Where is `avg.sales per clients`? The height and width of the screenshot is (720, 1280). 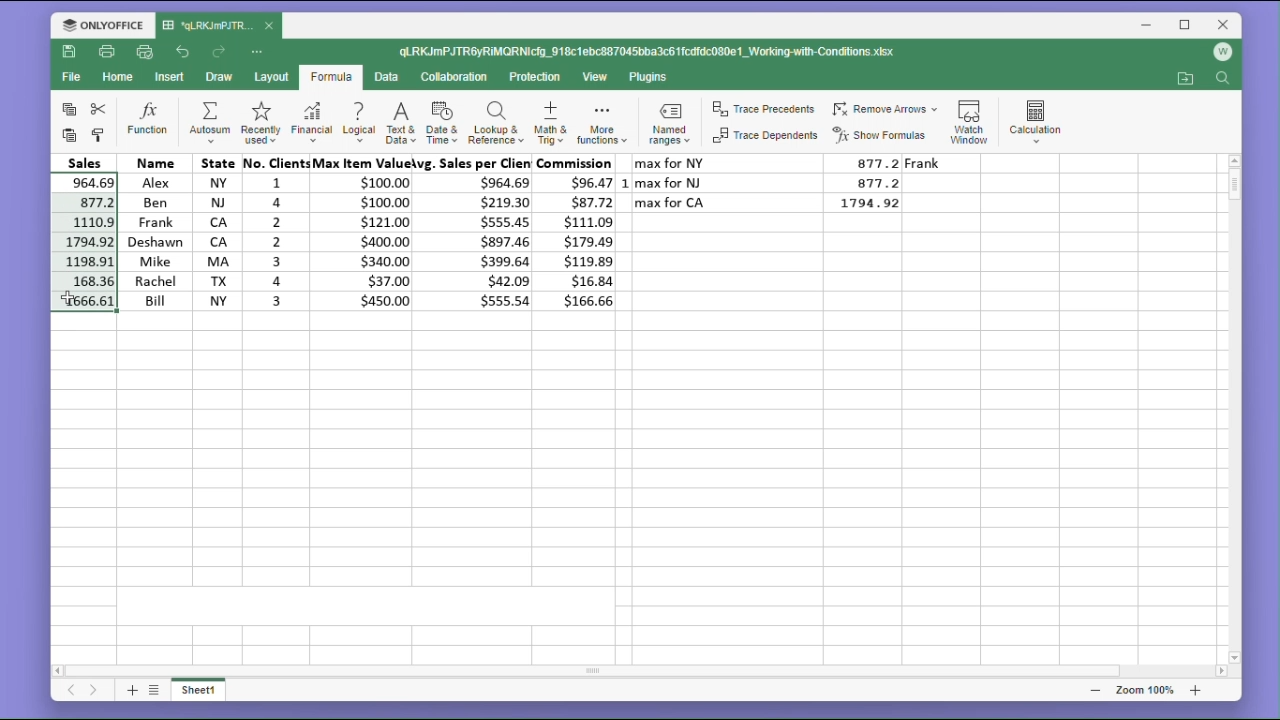
avg.sales per clients is located at coordinates (477, 235).